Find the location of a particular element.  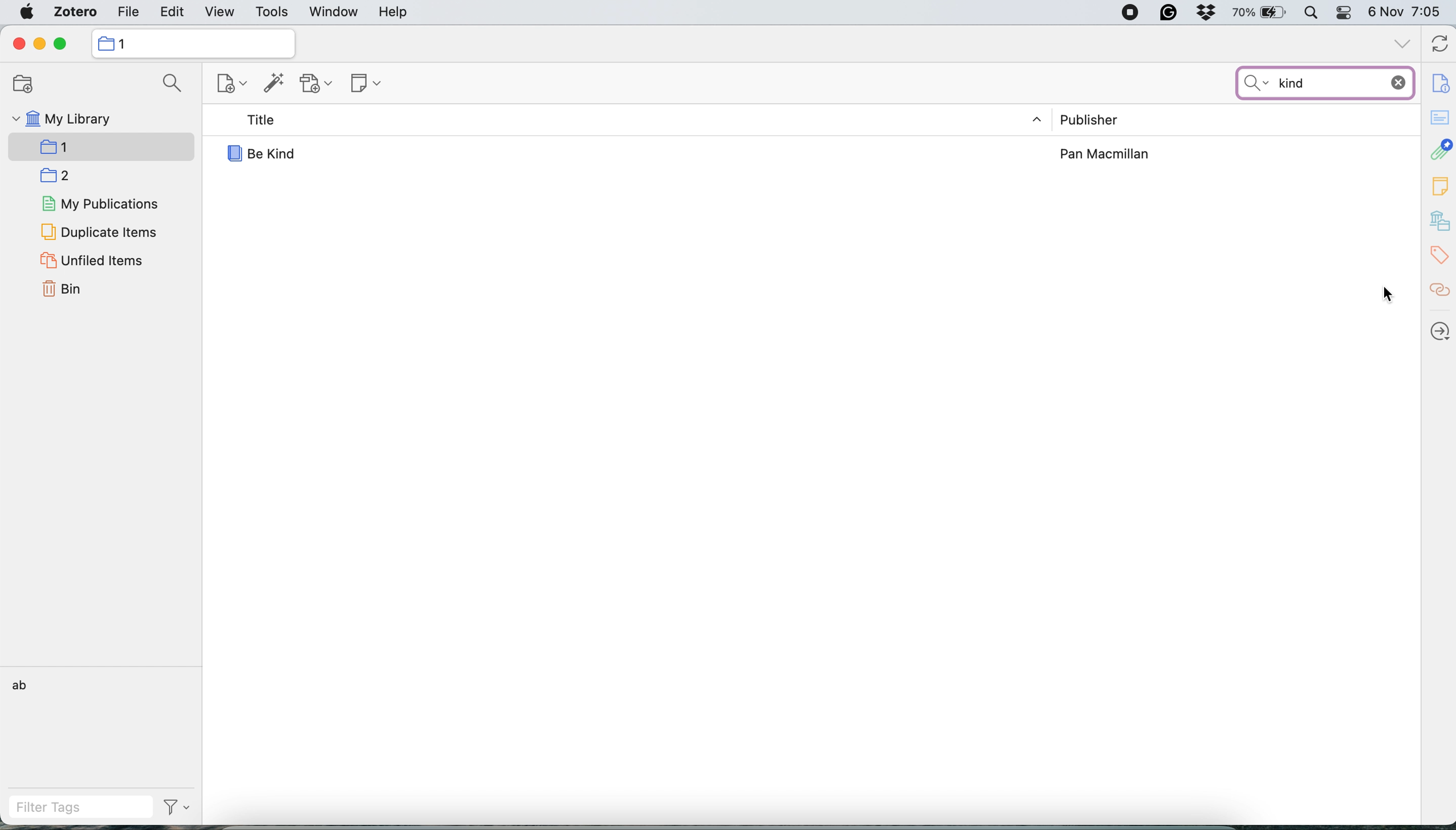

bin is located at coordinates (66, 288).